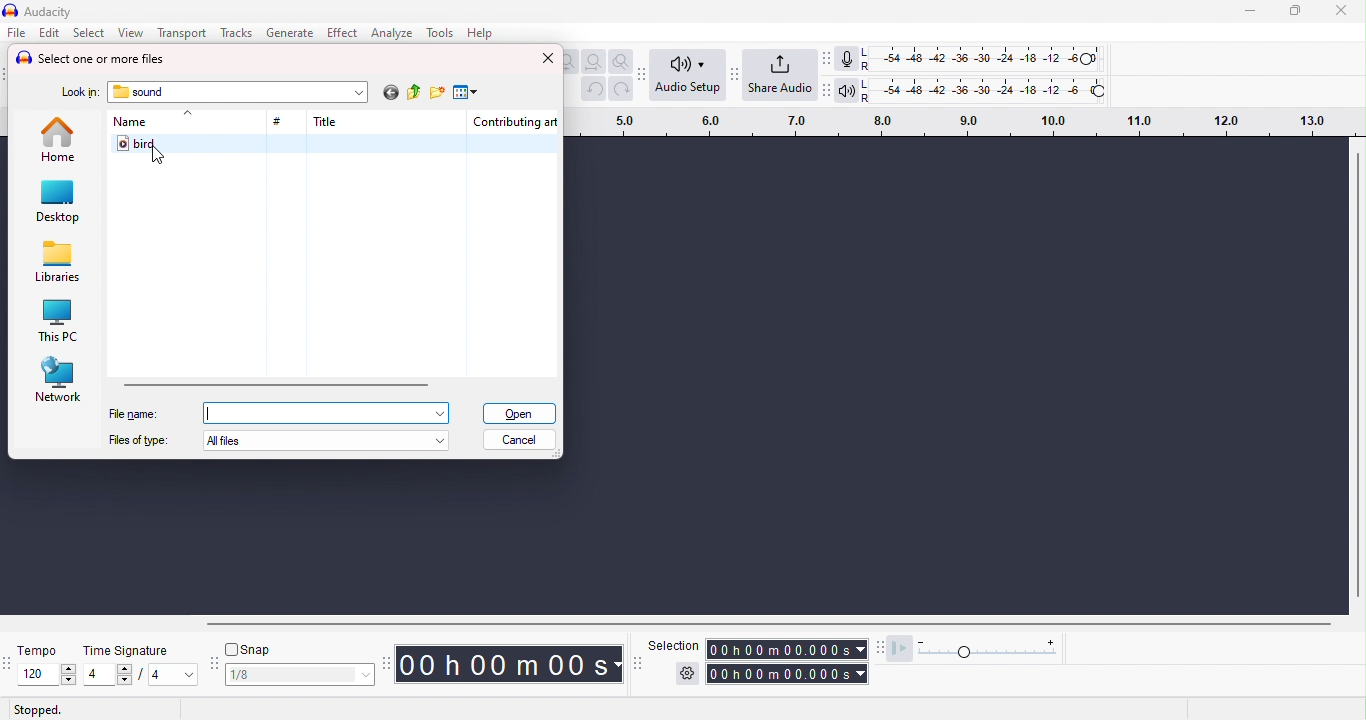  What do you see at coordinates (636, 662) in the screenshot?
I see `selection tool bar` at bounding box center [636, 662].